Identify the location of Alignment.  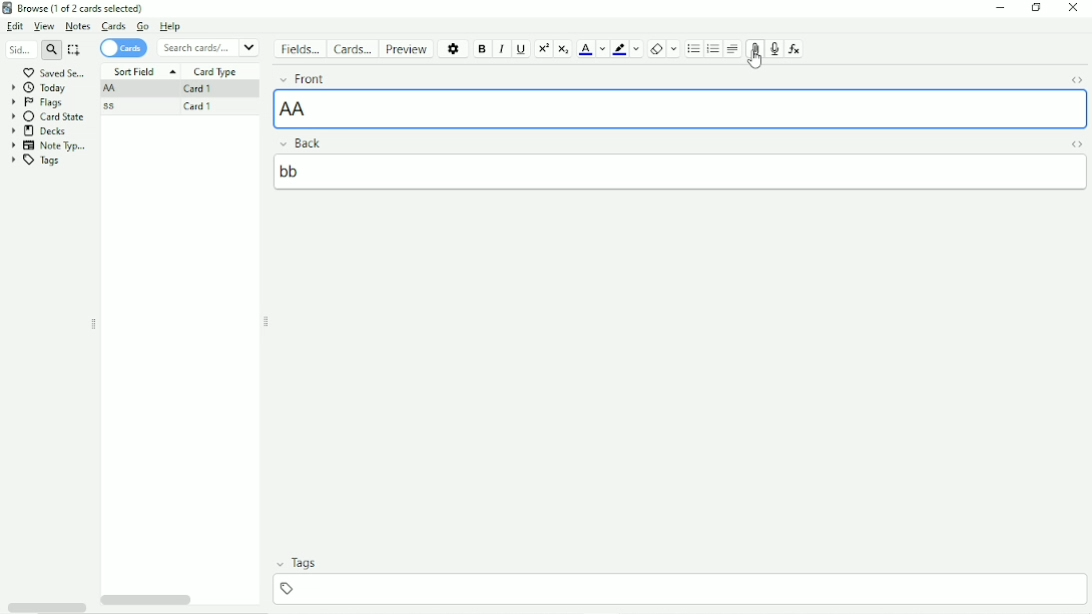
(733, 49).